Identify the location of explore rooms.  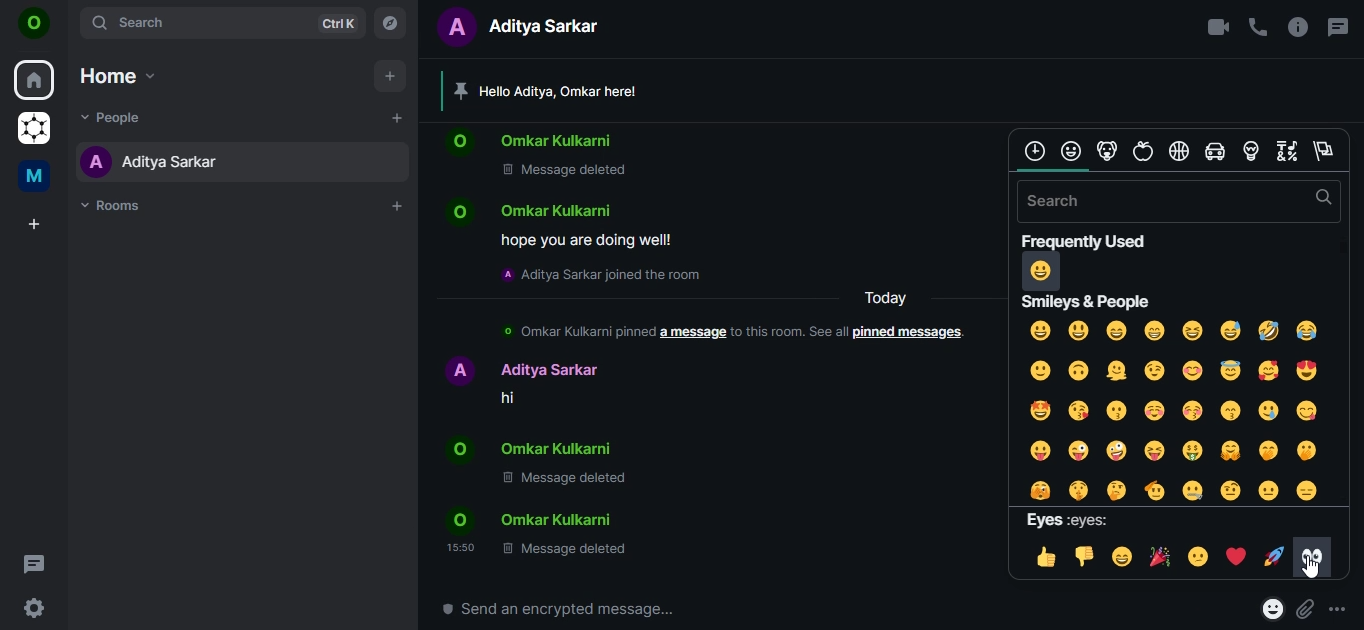
(391, 24).